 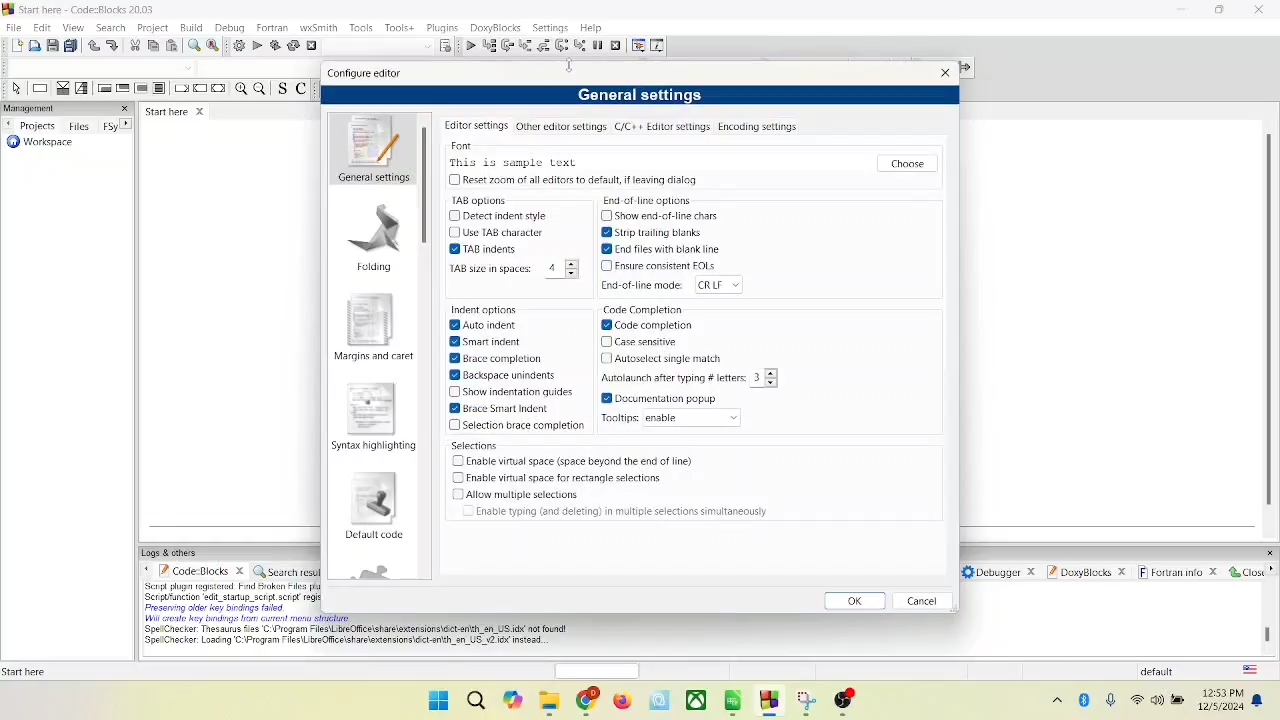 What do you see at coordinates (142, 90) in the screenshot?
I see `counting loop` at bounding box center [142, 90].